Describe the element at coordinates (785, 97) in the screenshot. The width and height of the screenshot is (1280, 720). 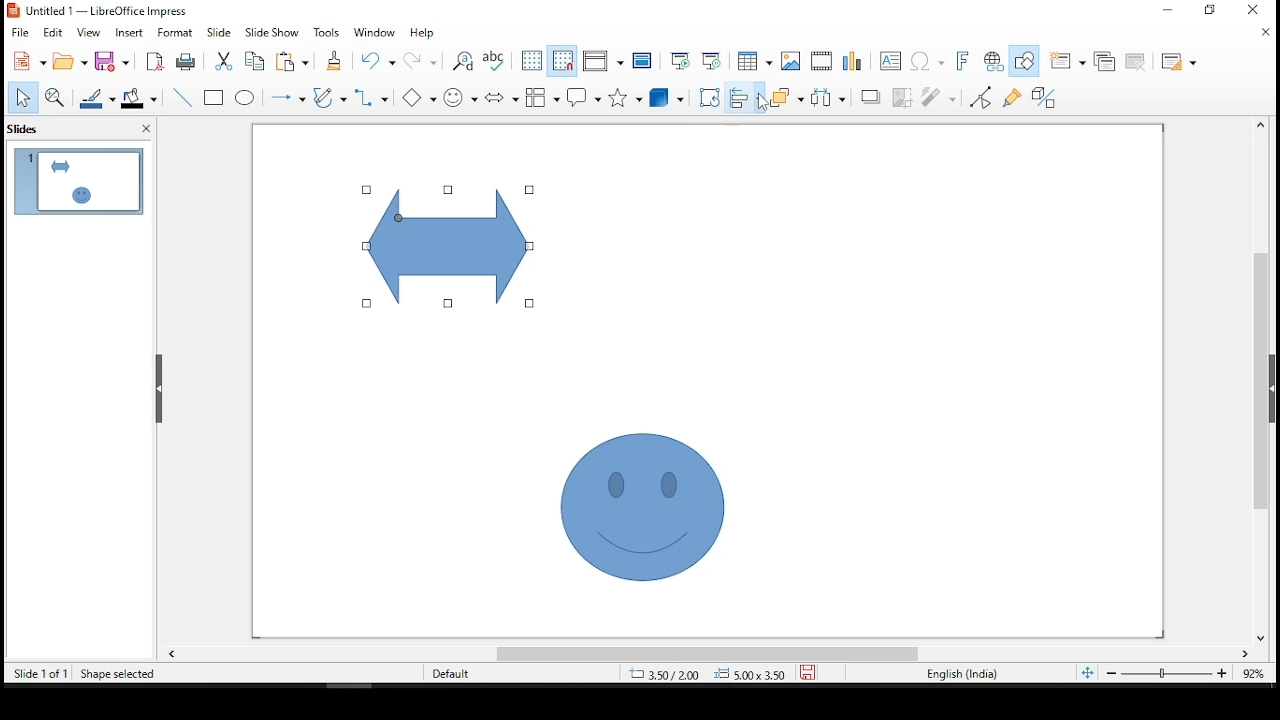
I see `arrange` at that location.